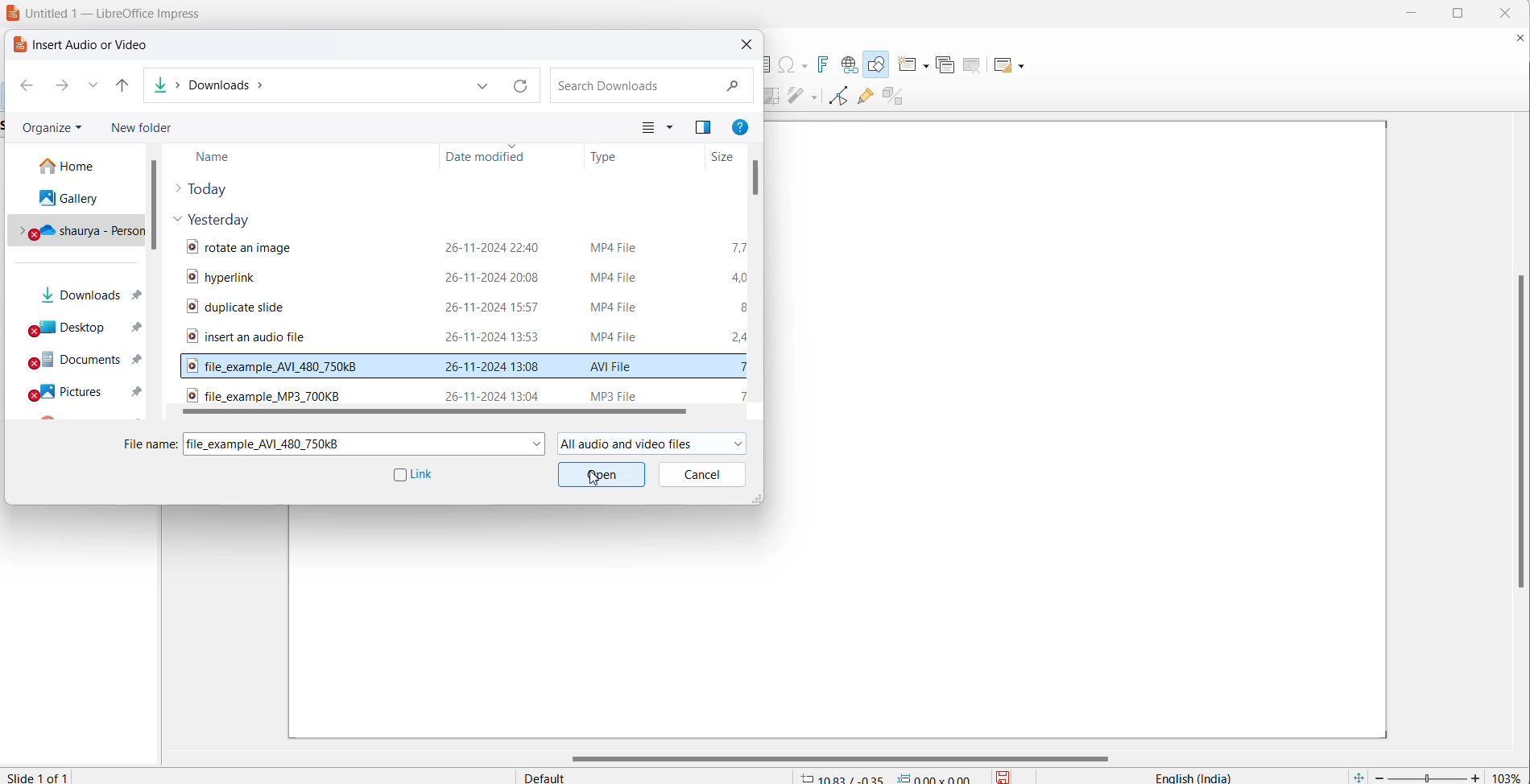 The image size is (1530, 784). Describe the element at coordinates (743, 125) in the screenshot. I see `get help` at that location.